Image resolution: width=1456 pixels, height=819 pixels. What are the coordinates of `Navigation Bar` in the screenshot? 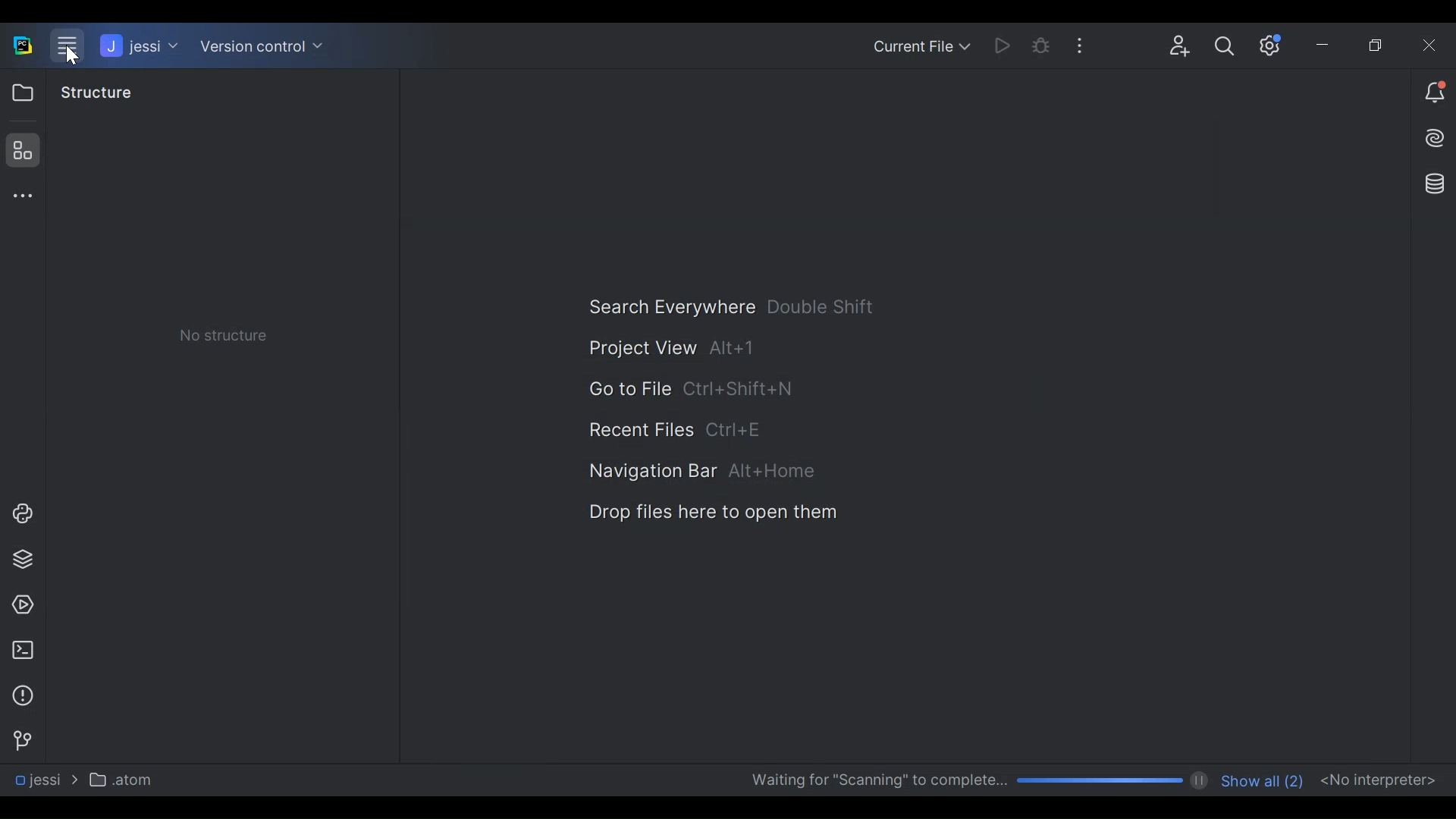 It's located at (676, 473).